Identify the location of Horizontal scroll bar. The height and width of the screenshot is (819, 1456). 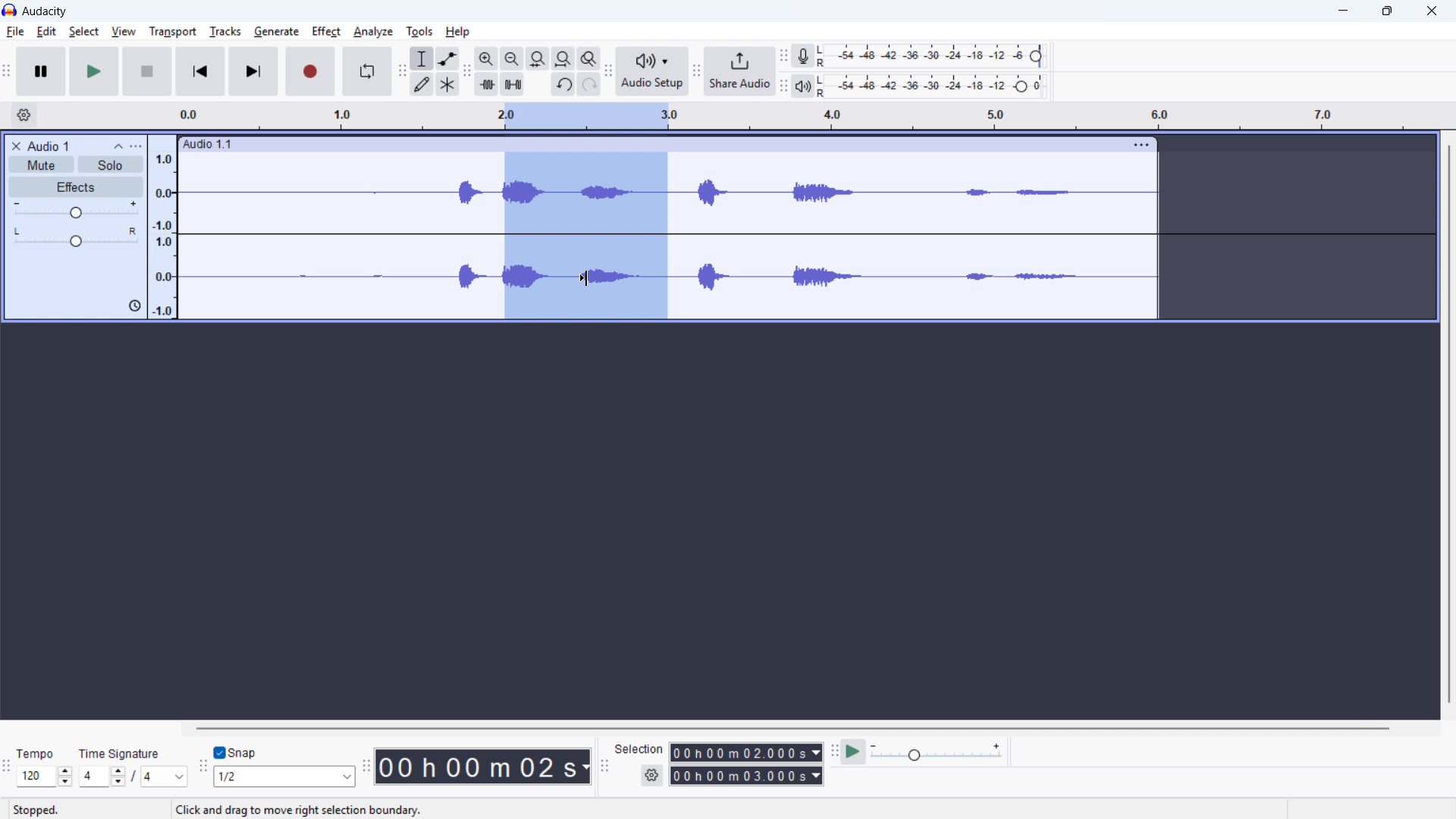
(763, 728).